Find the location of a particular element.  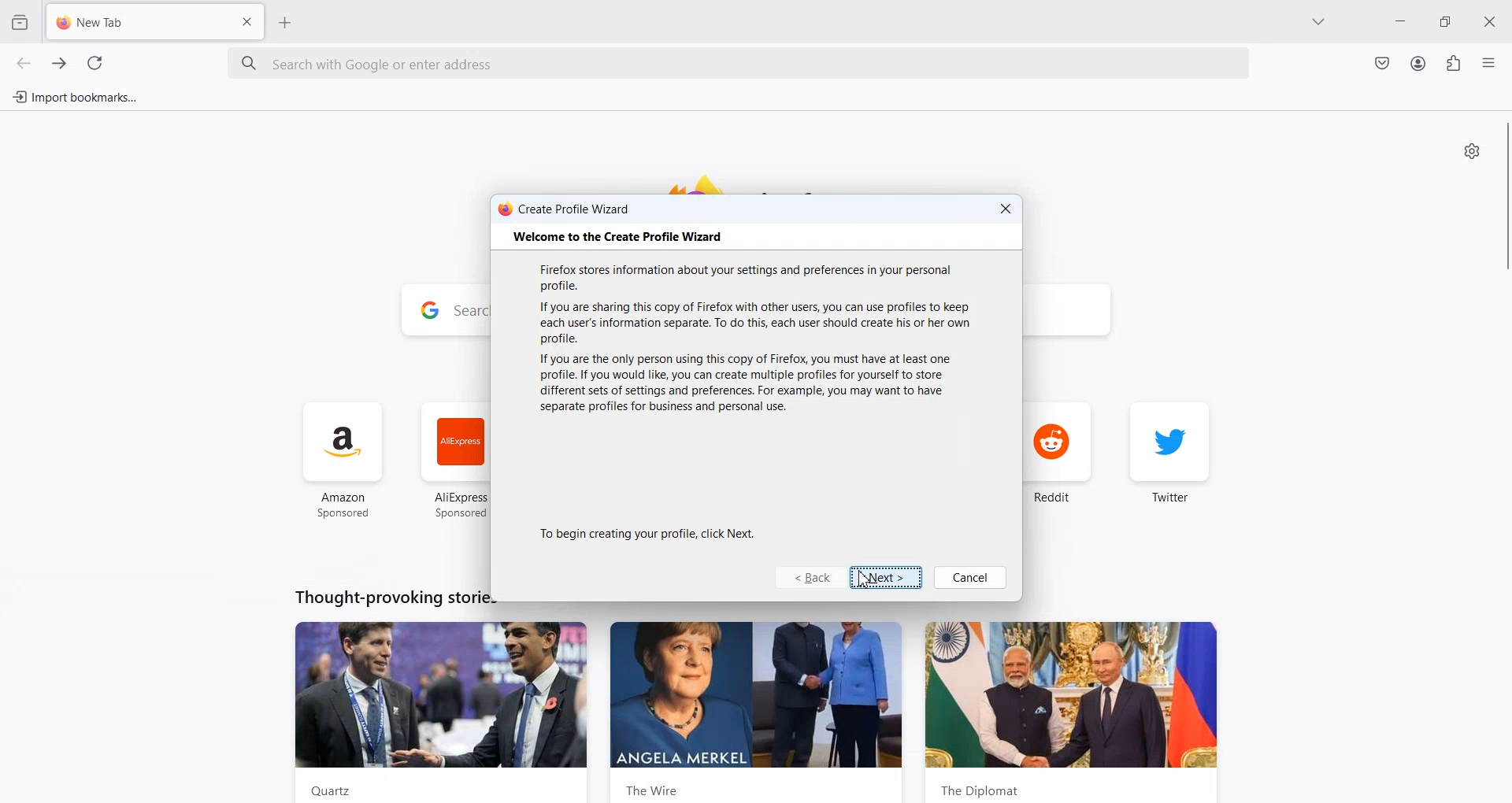

Refresh is located at coordinates (94, 64).